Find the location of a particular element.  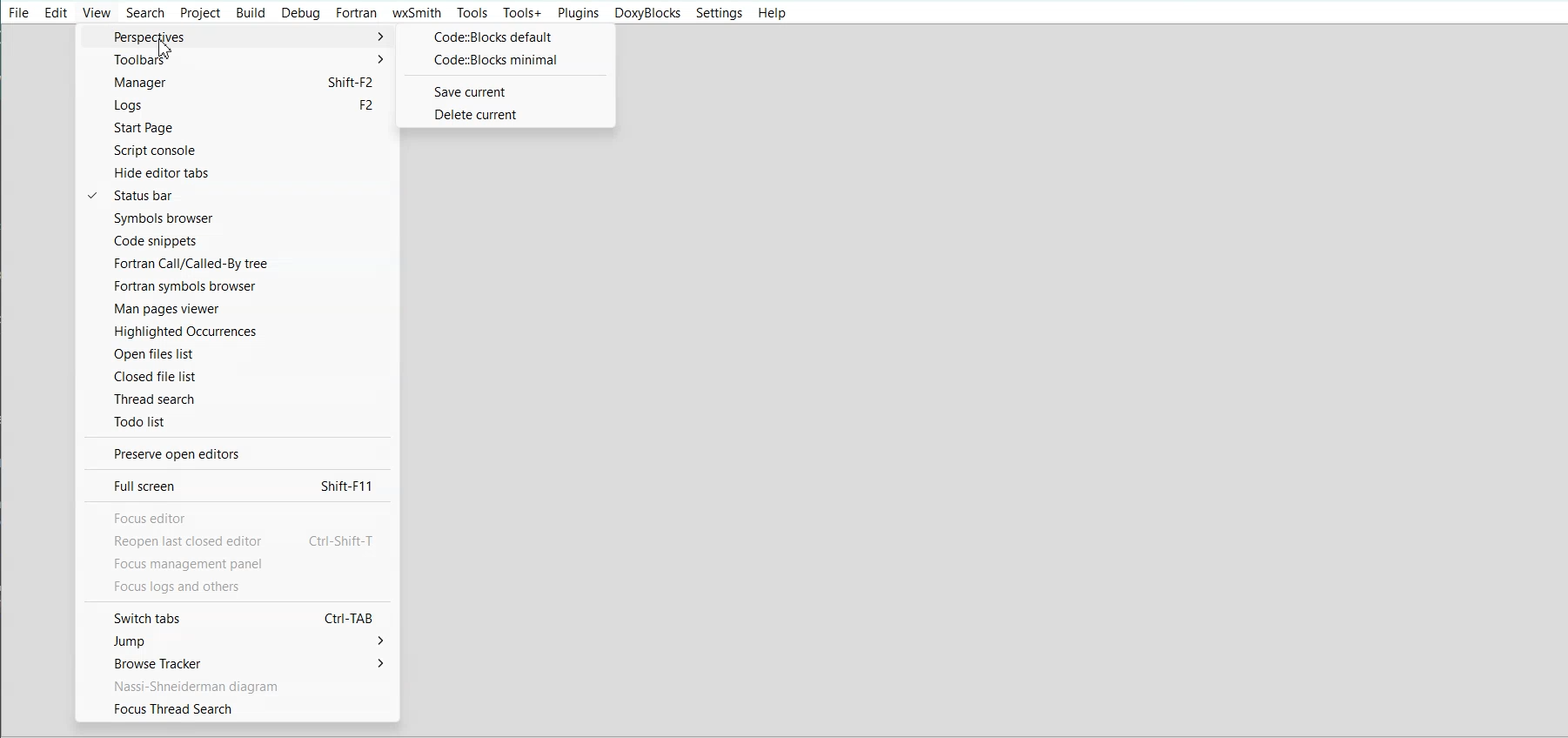

Project is located at coordinates (199, 12).